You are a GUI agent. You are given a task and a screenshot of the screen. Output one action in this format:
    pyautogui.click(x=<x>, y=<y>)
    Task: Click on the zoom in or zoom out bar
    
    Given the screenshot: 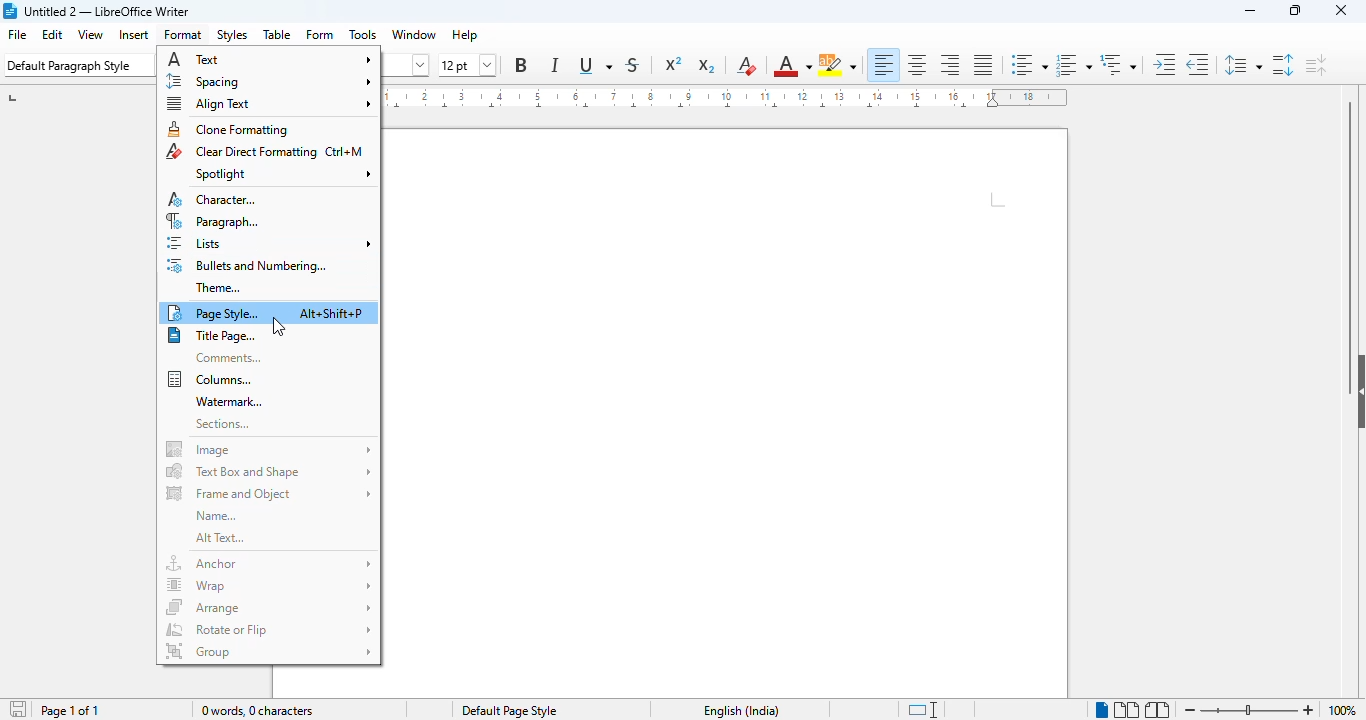 What is the action you would take?
    pyautogui.click(x=1248, y=711)
    